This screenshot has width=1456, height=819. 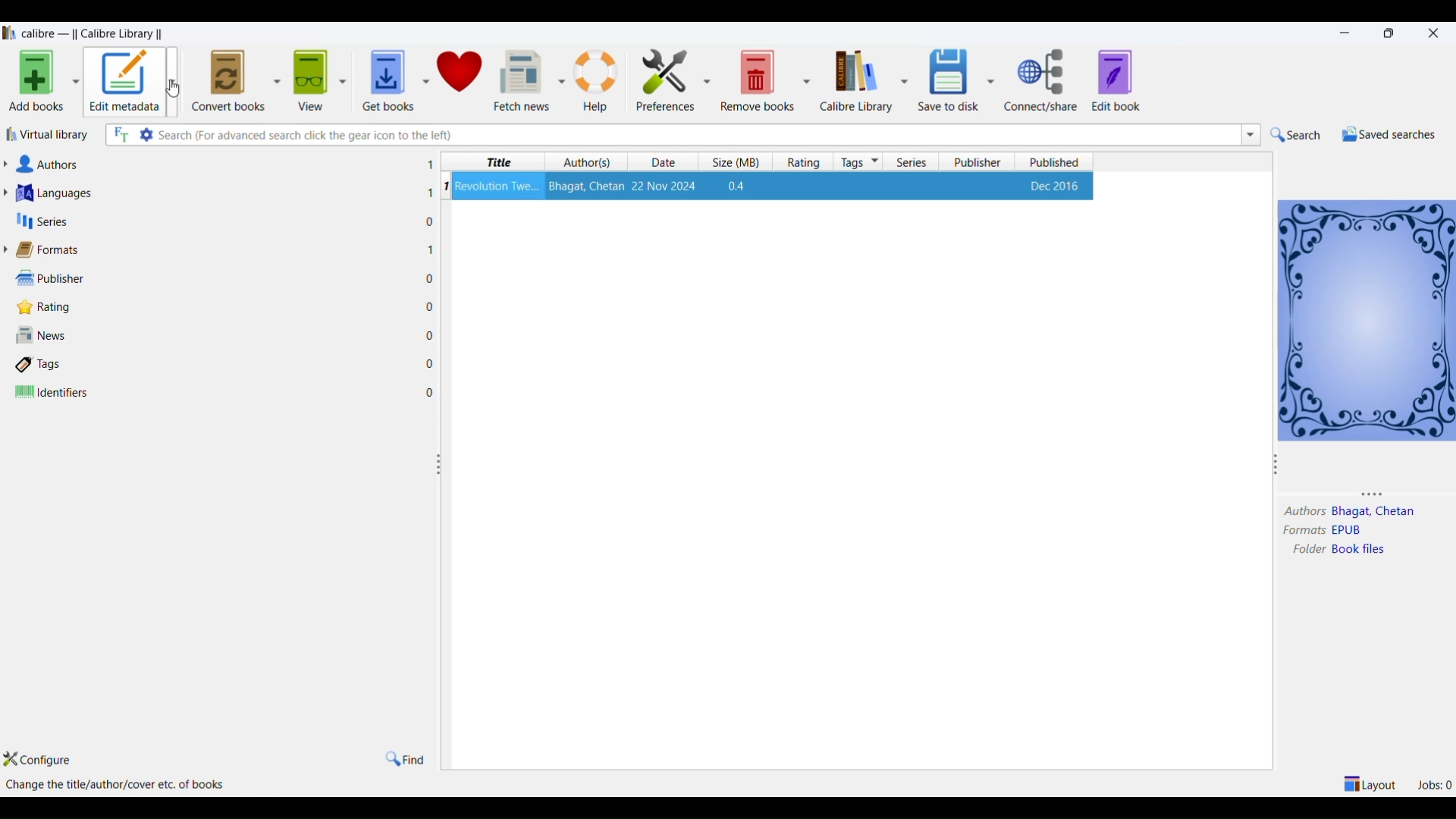 What do you see at coordinates (1055, 162) in the screenshot?
I see `published` at bounding box center [1055, 162].